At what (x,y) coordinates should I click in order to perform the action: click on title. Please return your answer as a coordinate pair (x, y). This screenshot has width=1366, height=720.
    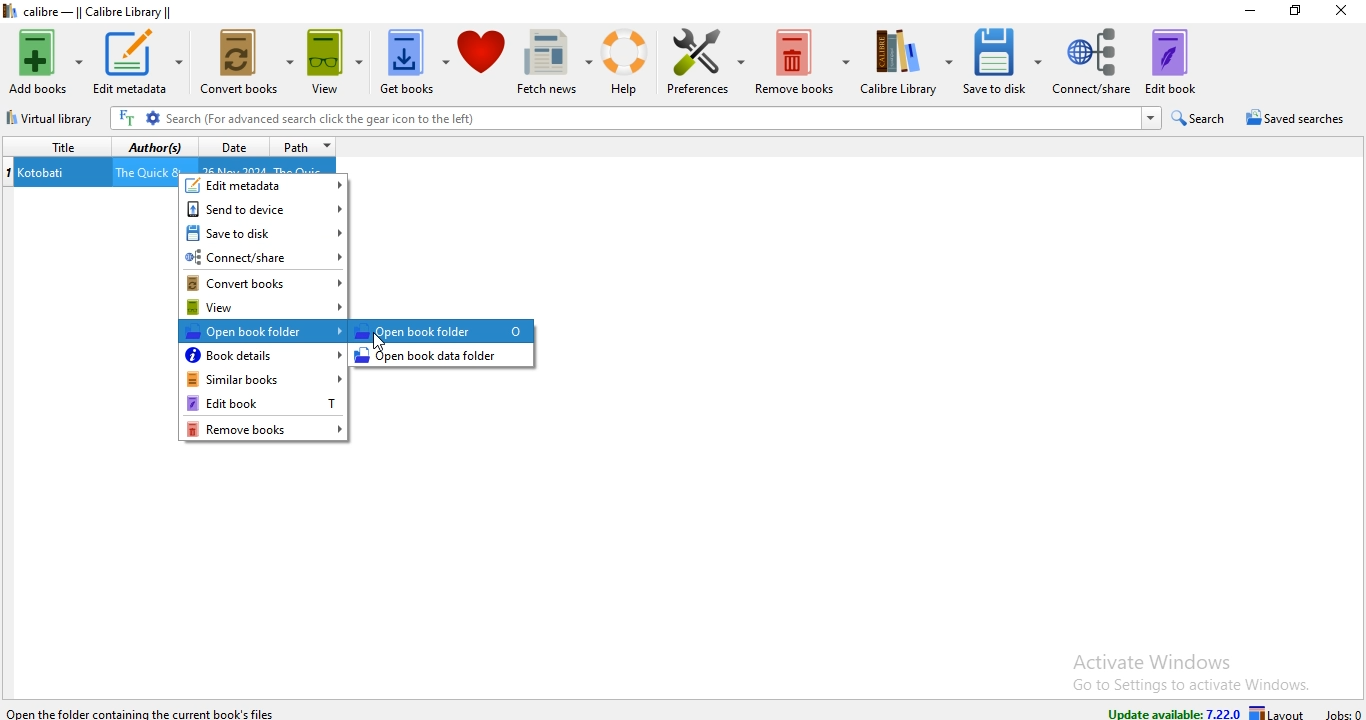
    Looking at the image, I should click on (55, 147).